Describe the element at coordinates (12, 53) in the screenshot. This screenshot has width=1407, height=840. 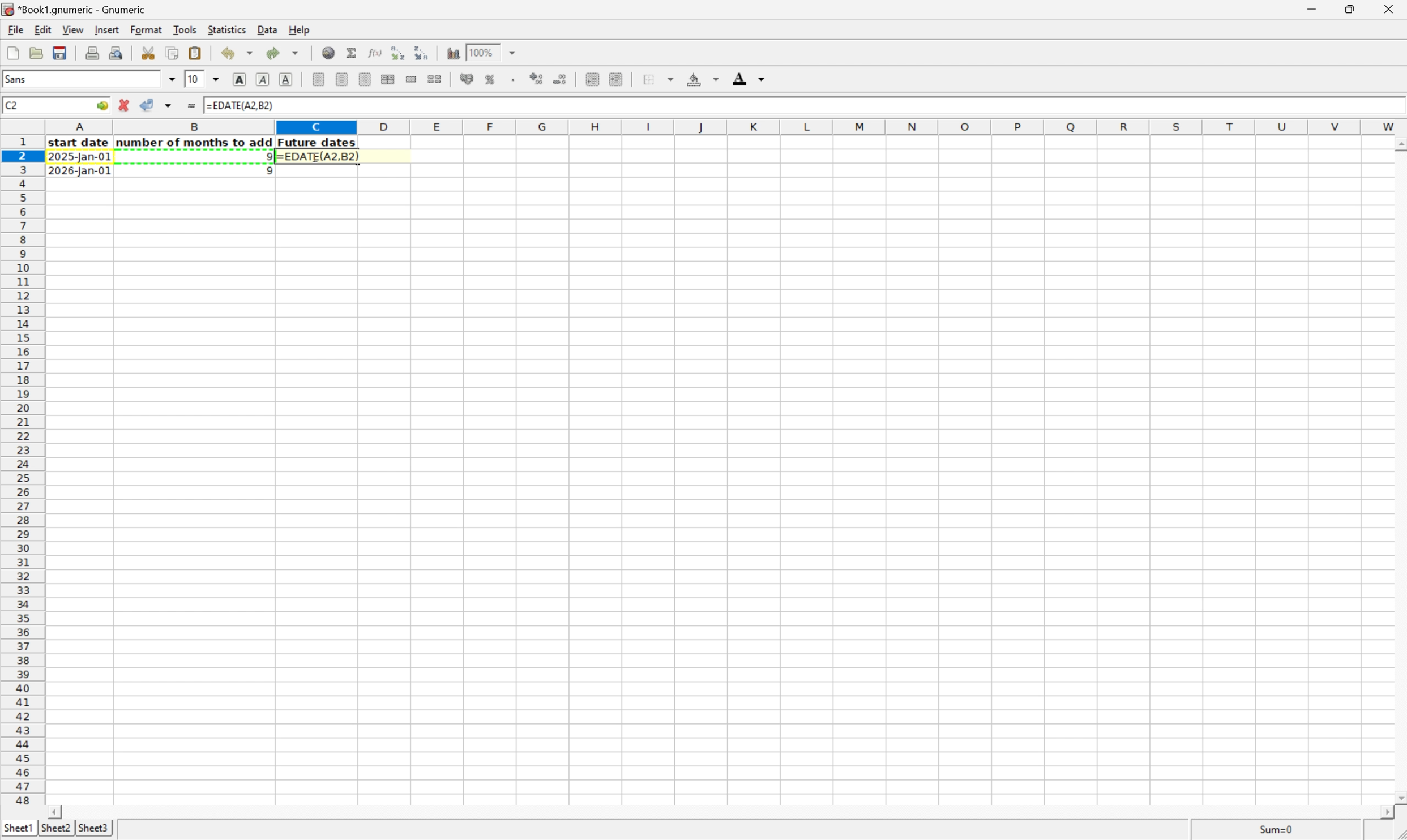
I see `Create new workbook` at that location.